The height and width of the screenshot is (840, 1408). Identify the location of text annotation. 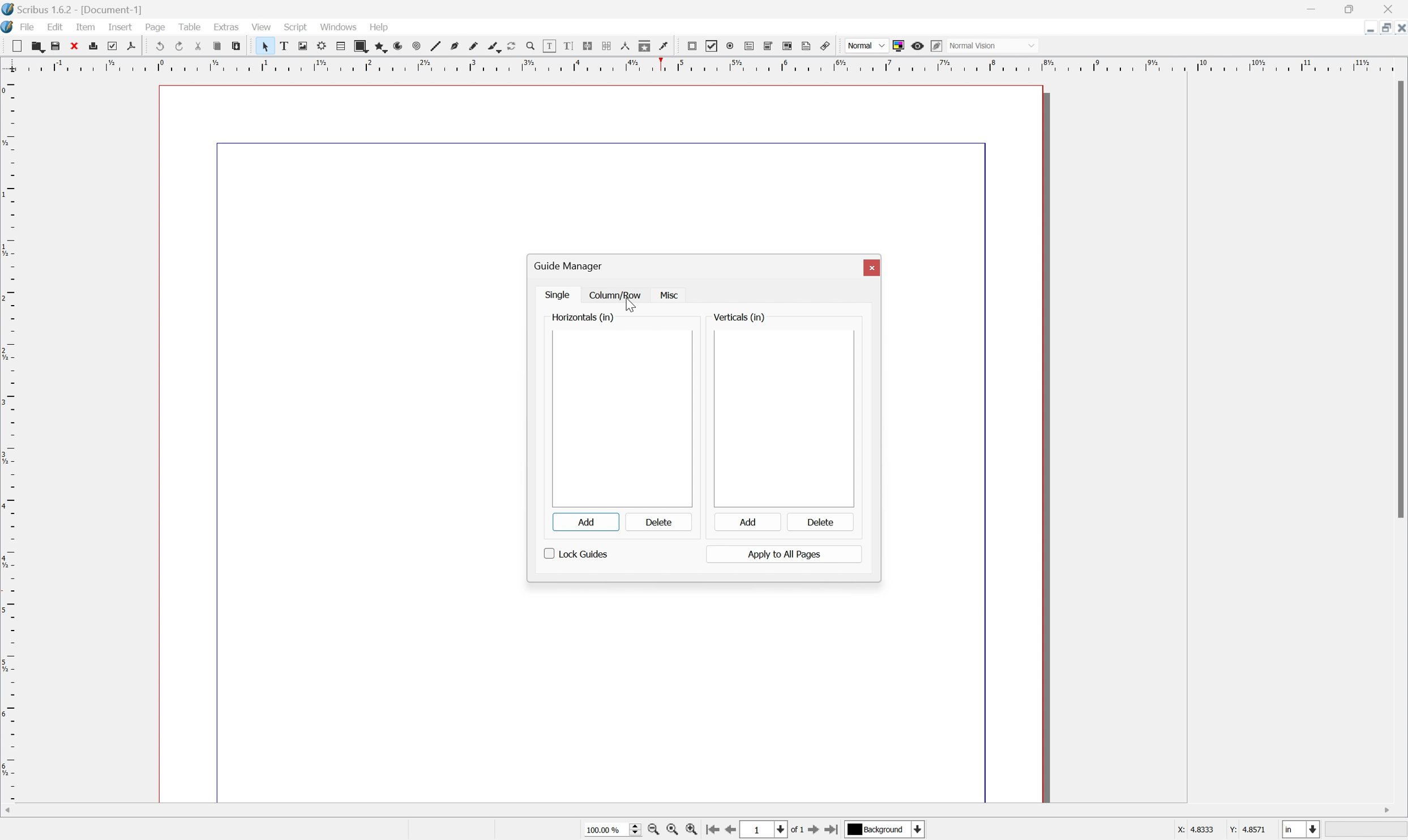
(807, 45).